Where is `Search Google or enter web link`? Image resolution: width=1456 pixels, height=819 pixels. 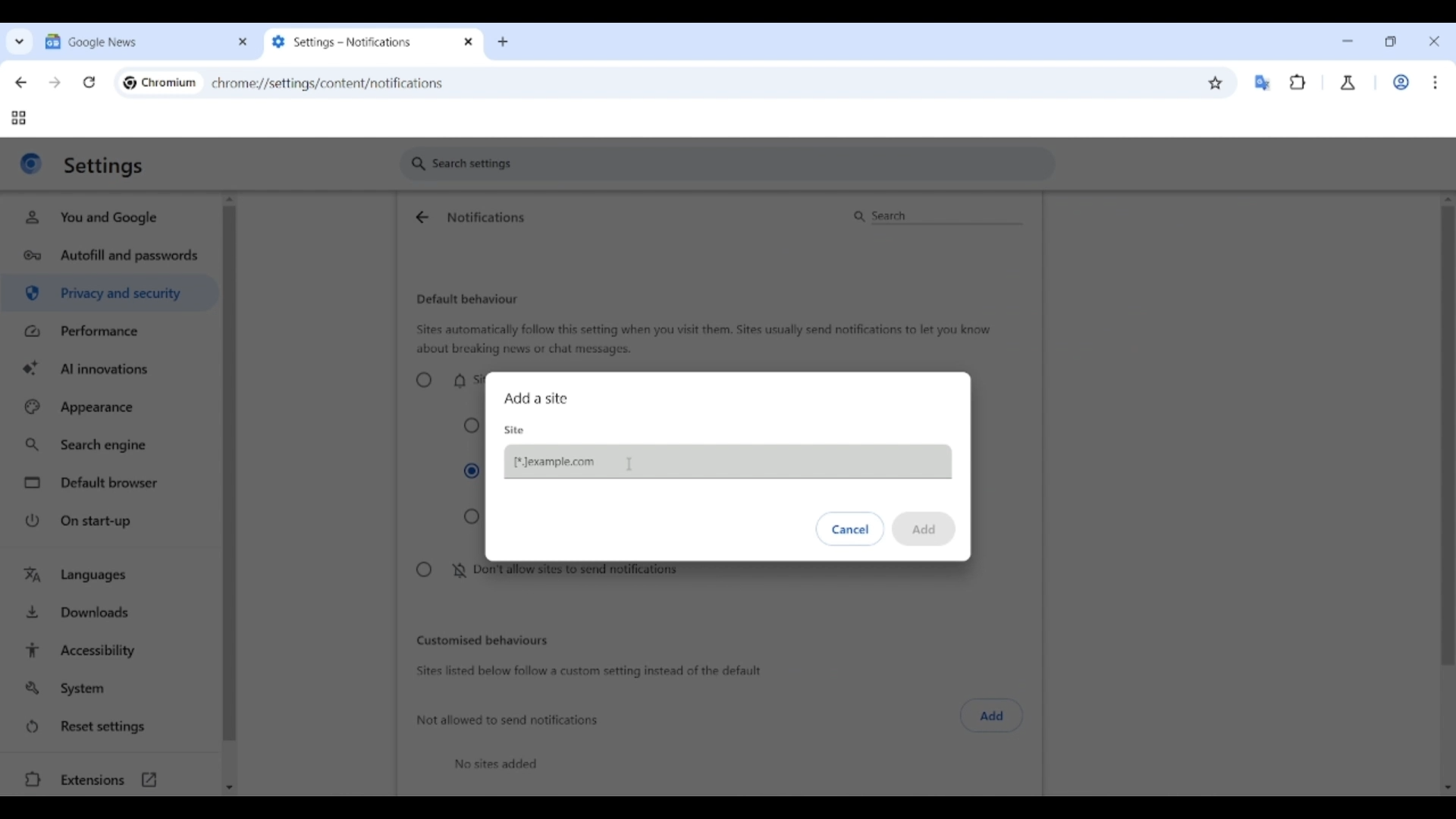 Search Google or enter web link is located at coordinates (815, 83).